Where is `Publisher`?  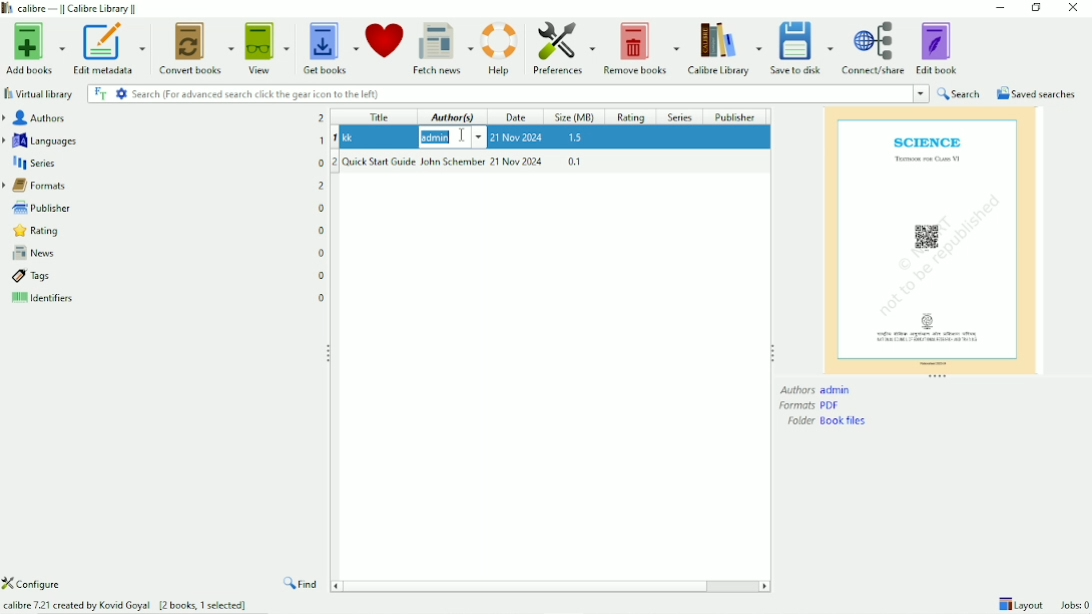
Publisher is located at coordinates (734, 116).